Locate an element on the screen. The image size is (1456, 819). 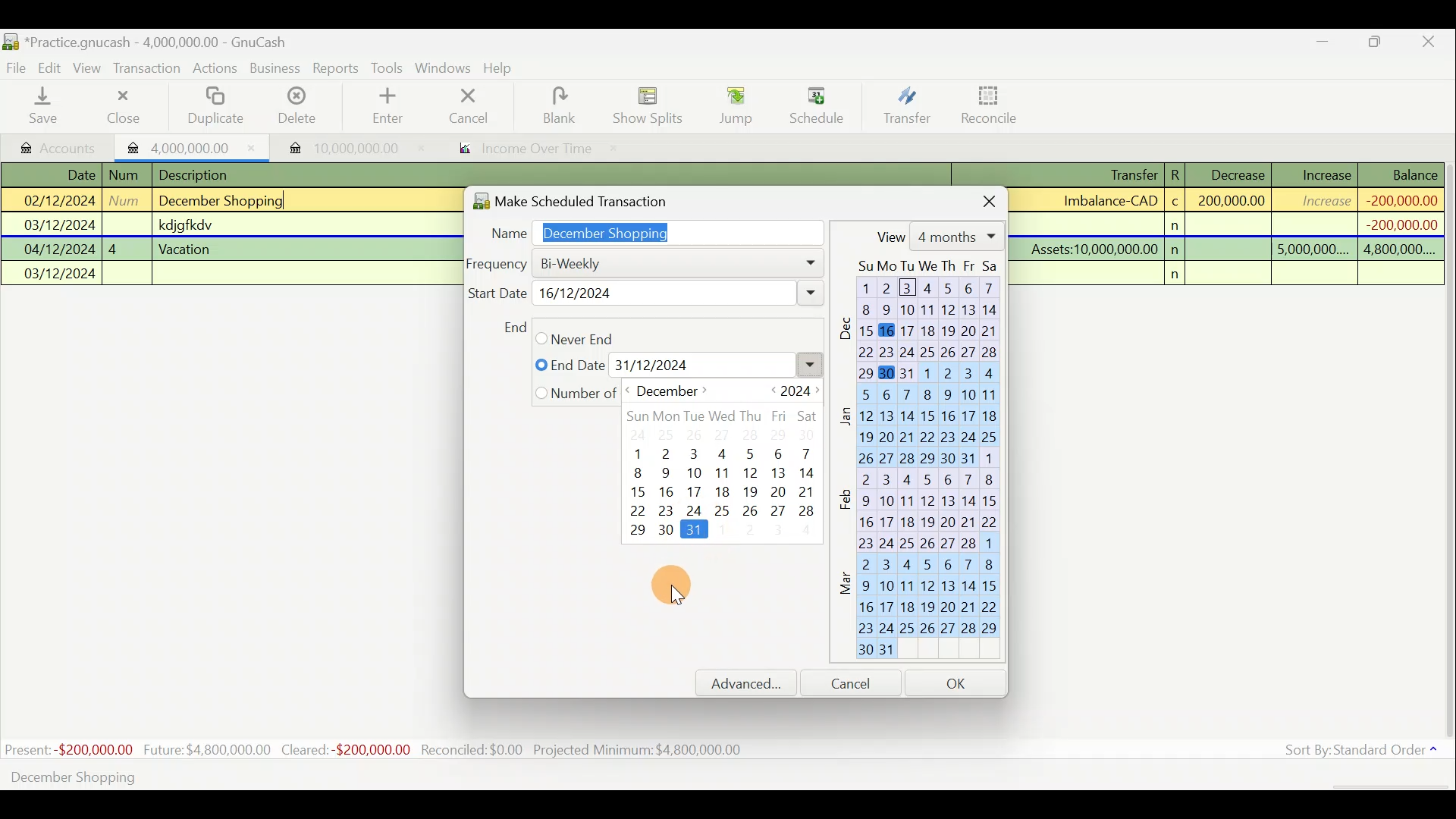
Delete is located at coordinates (295, 111).